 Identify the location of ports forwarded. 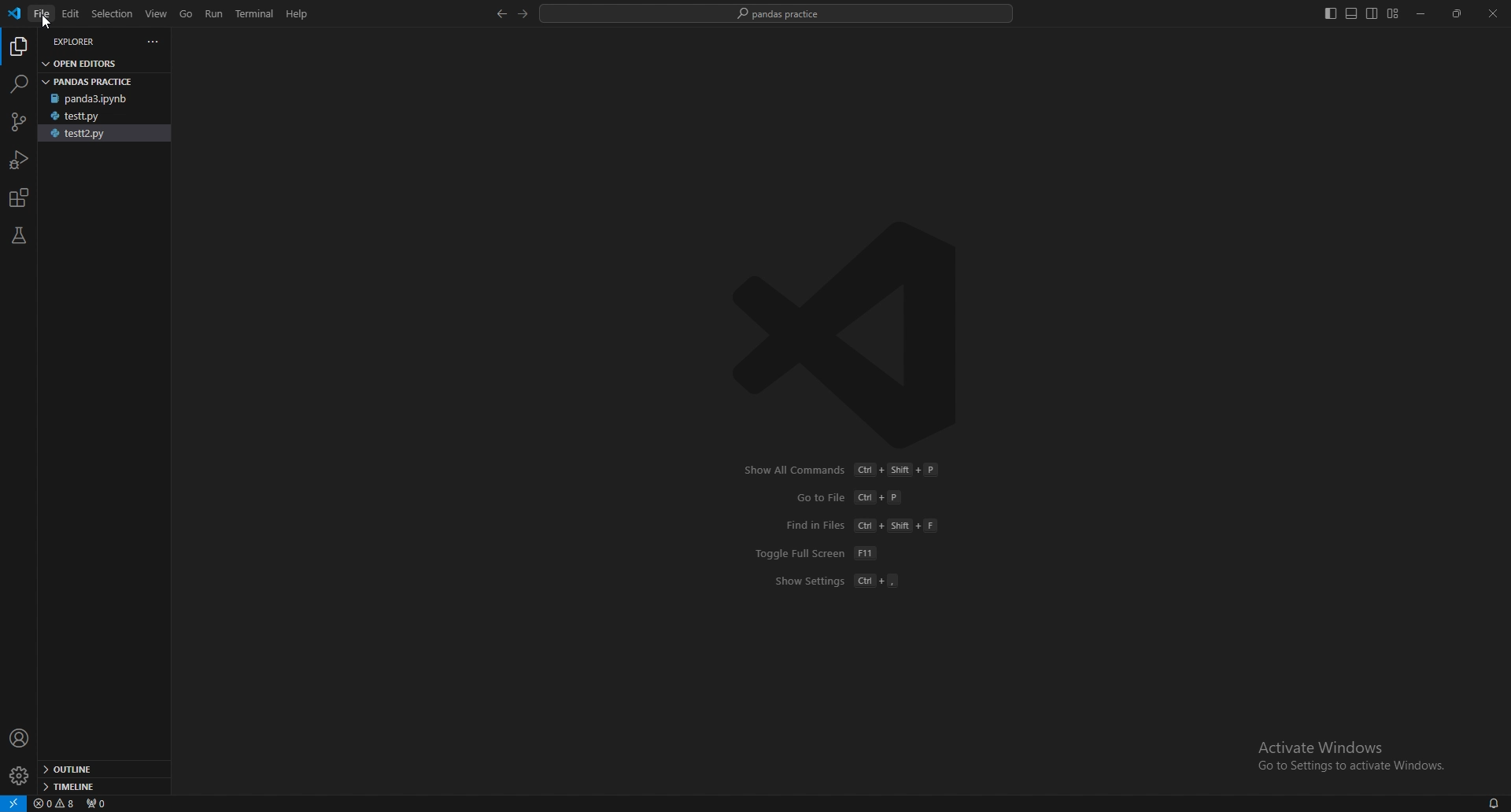
(96, 803).